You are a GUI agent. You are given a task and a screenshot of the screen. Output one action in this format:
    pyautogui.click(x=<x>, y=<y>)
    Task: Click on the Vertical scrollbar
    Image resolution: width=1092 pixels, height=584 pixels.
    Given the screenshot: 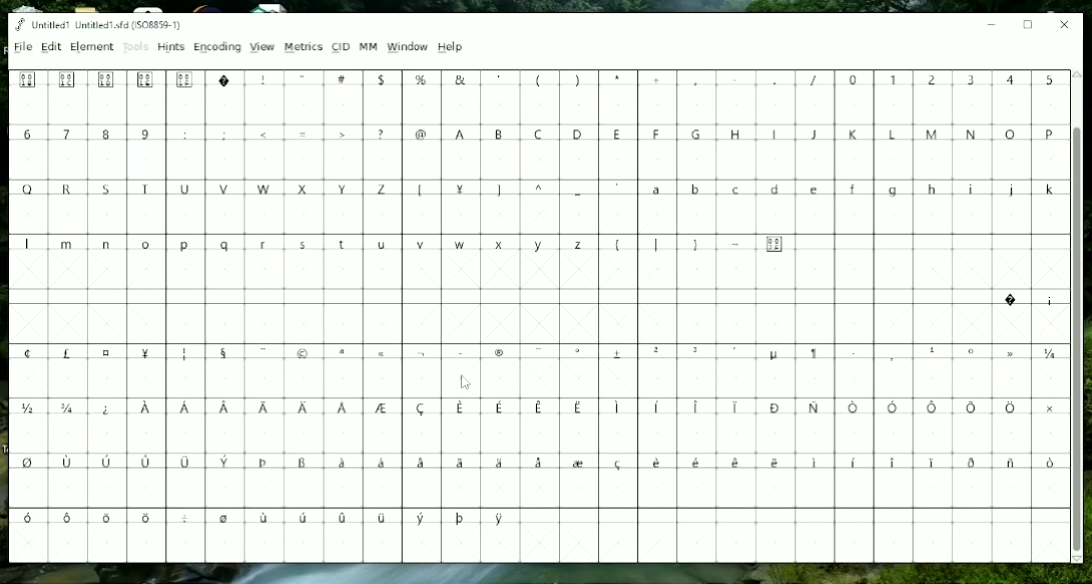 What is the action you would take?
    pyautogui.click(x=1078, y=337)
    